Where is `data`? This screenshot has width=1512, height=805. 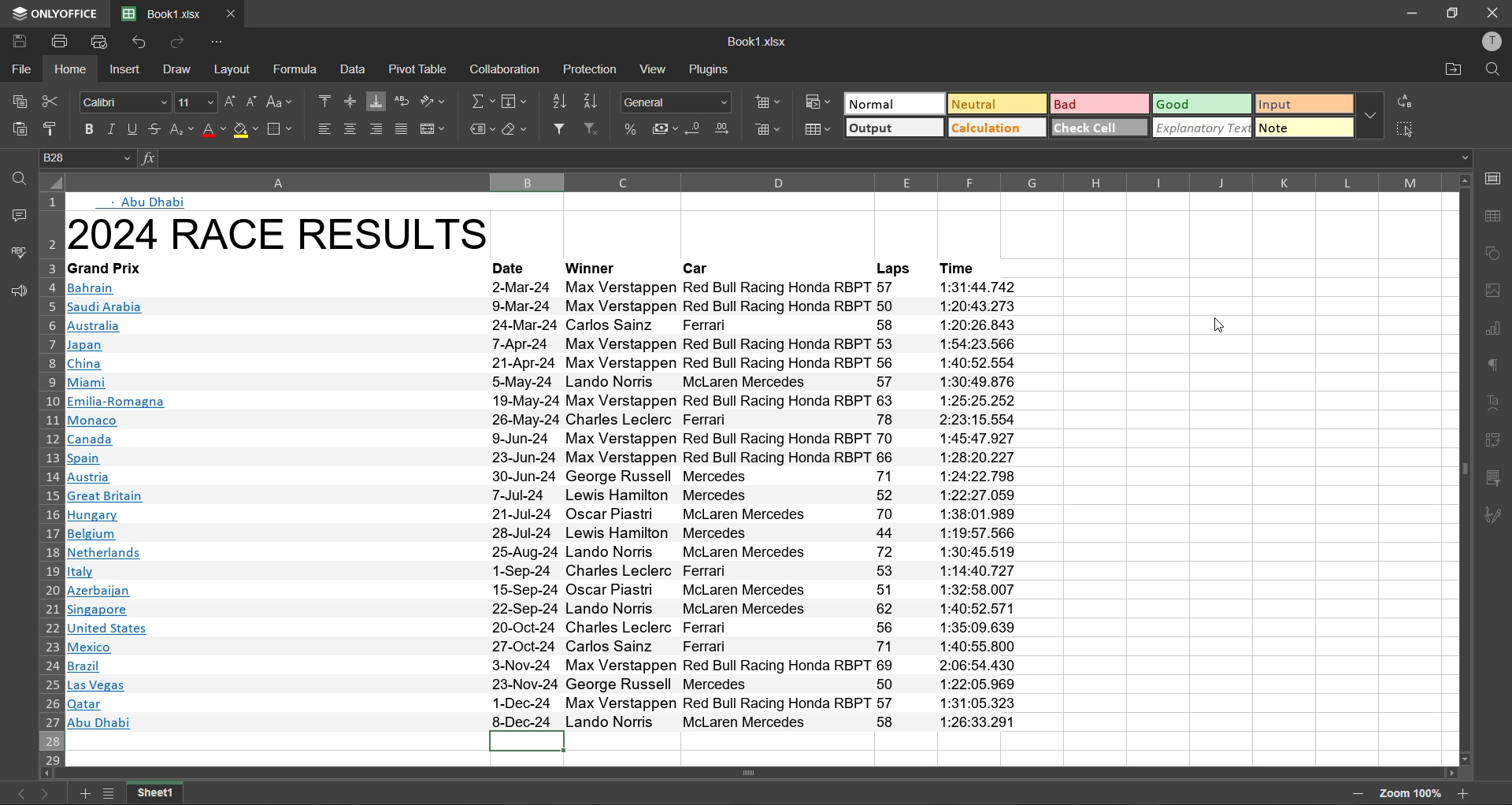 data is located at coordinates (355, 69).